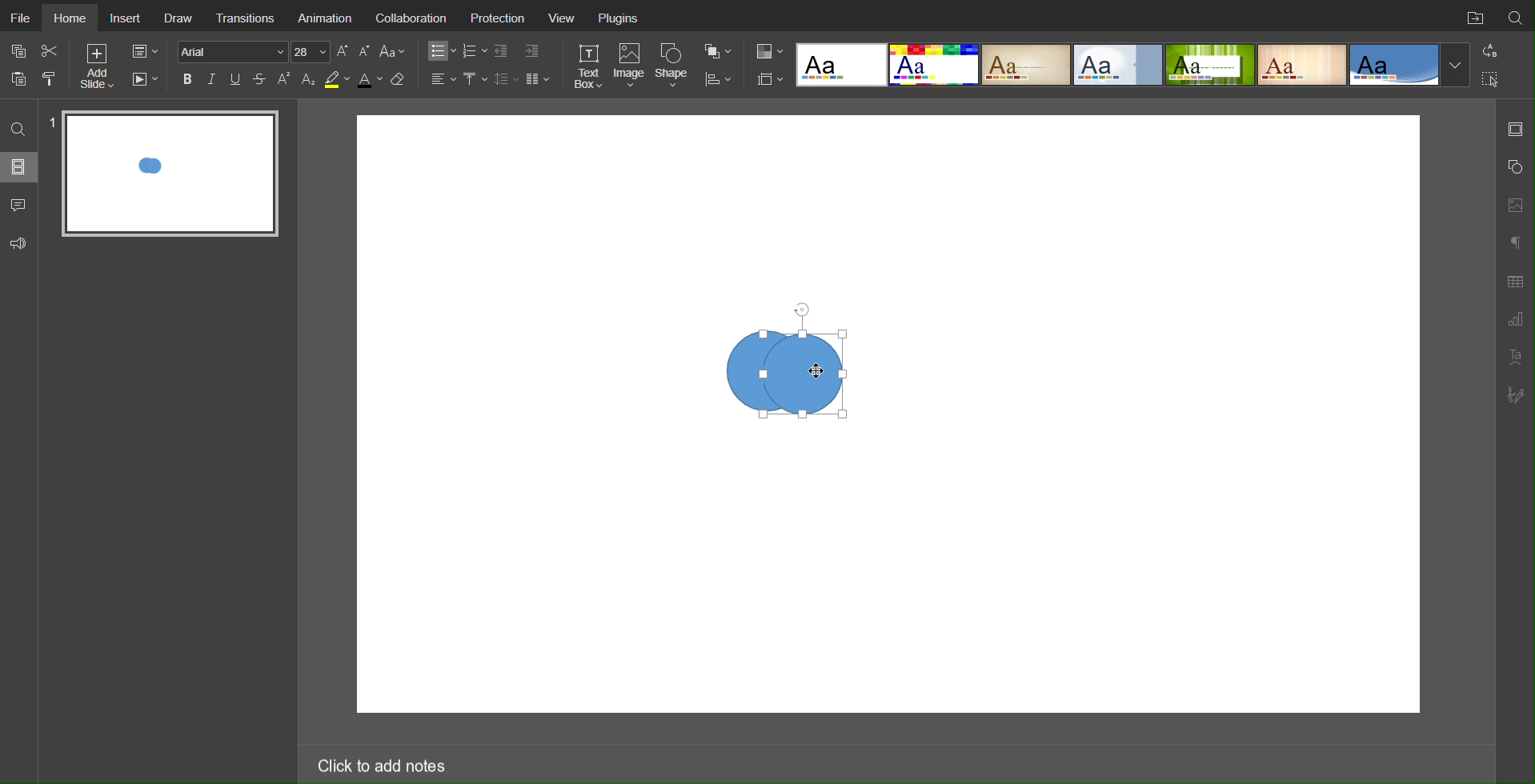 The height and width of the screenshot is (784, 1535). I want to click on Shape Settings, so click(1514, 167).